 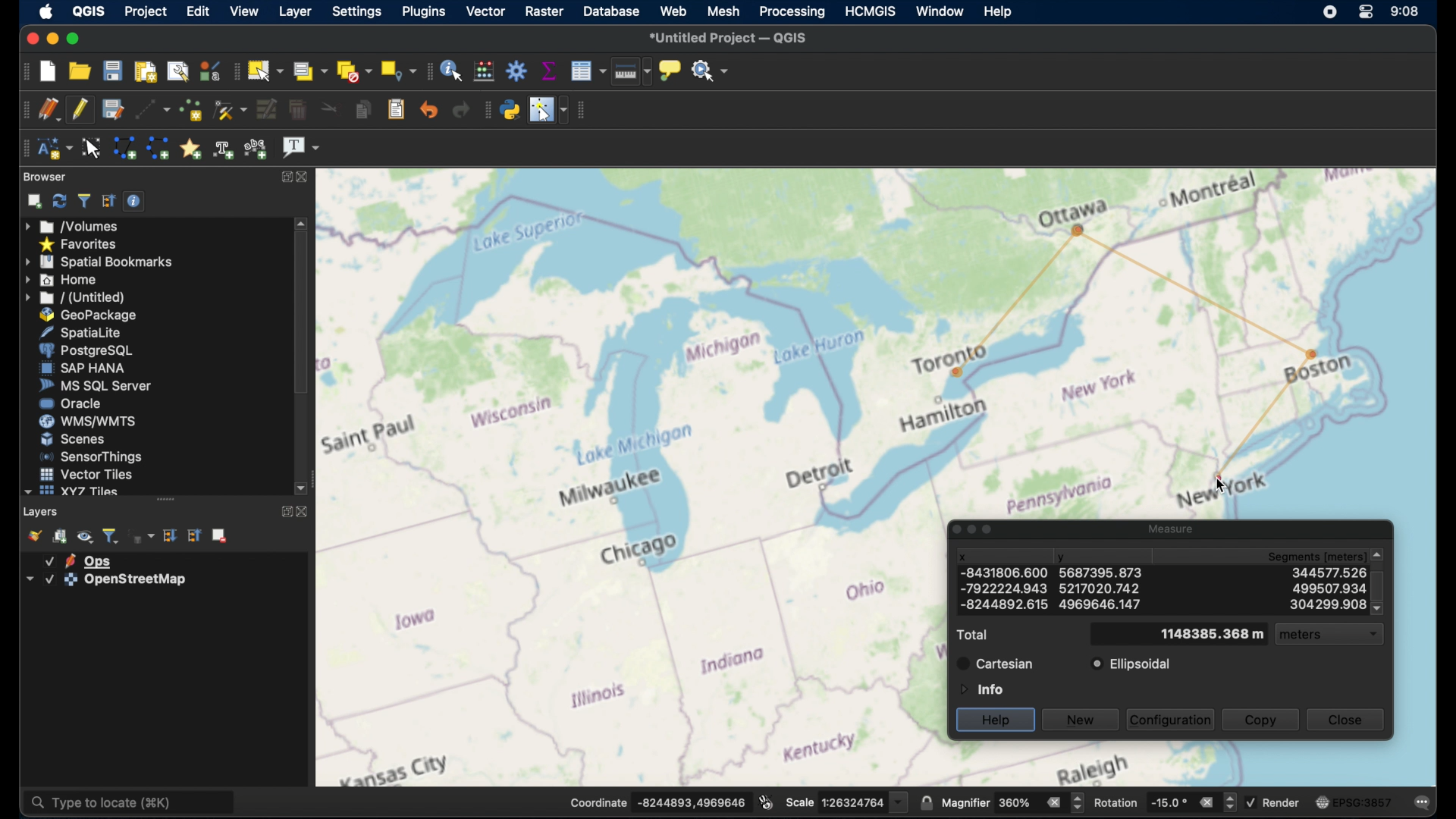 I want to click on x, so click(x=1000, y=572).